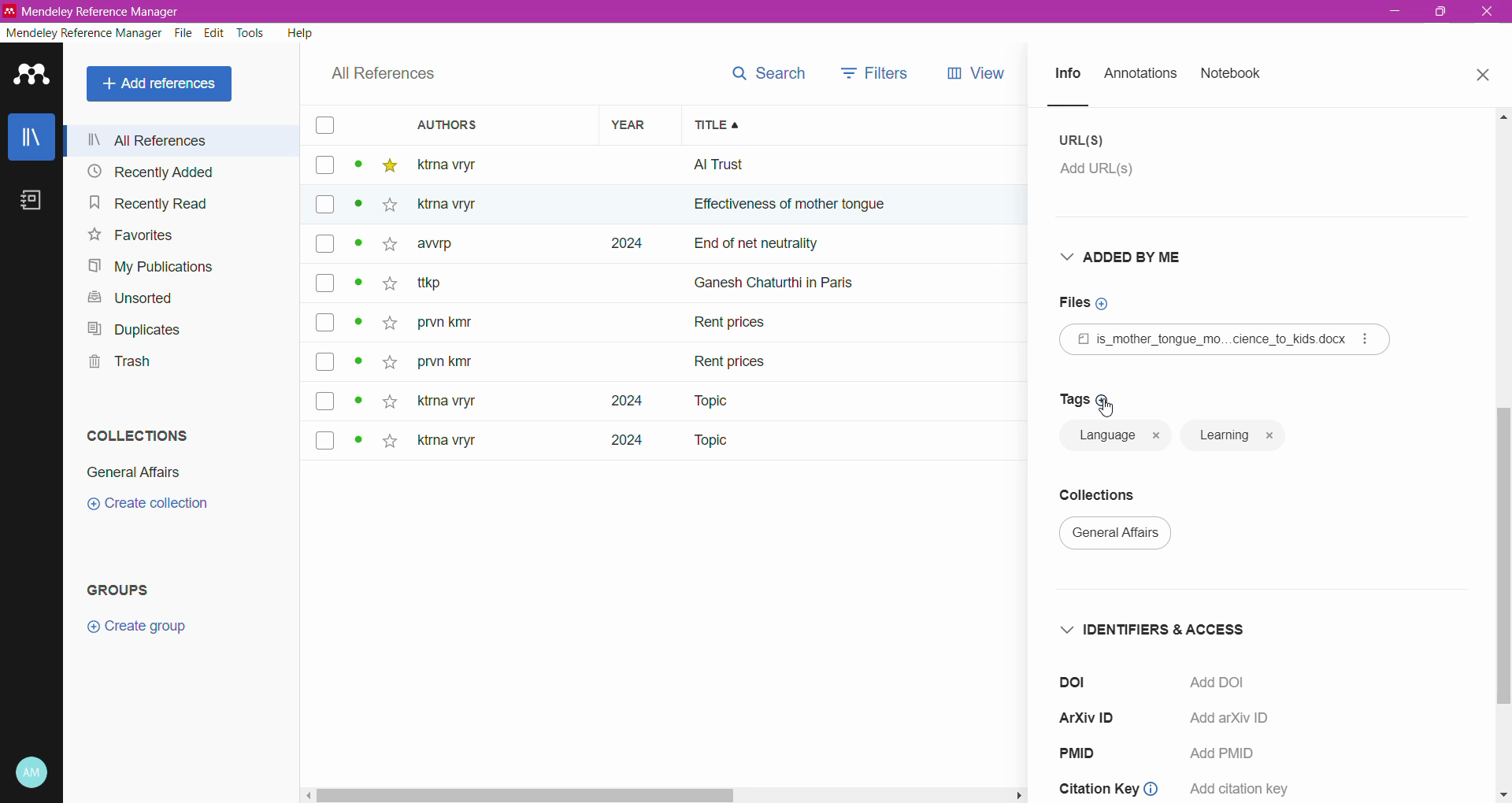  What do you see at coordinates (185, 33) in the screenshot?
I see `File` at bounding box center [185, 33].